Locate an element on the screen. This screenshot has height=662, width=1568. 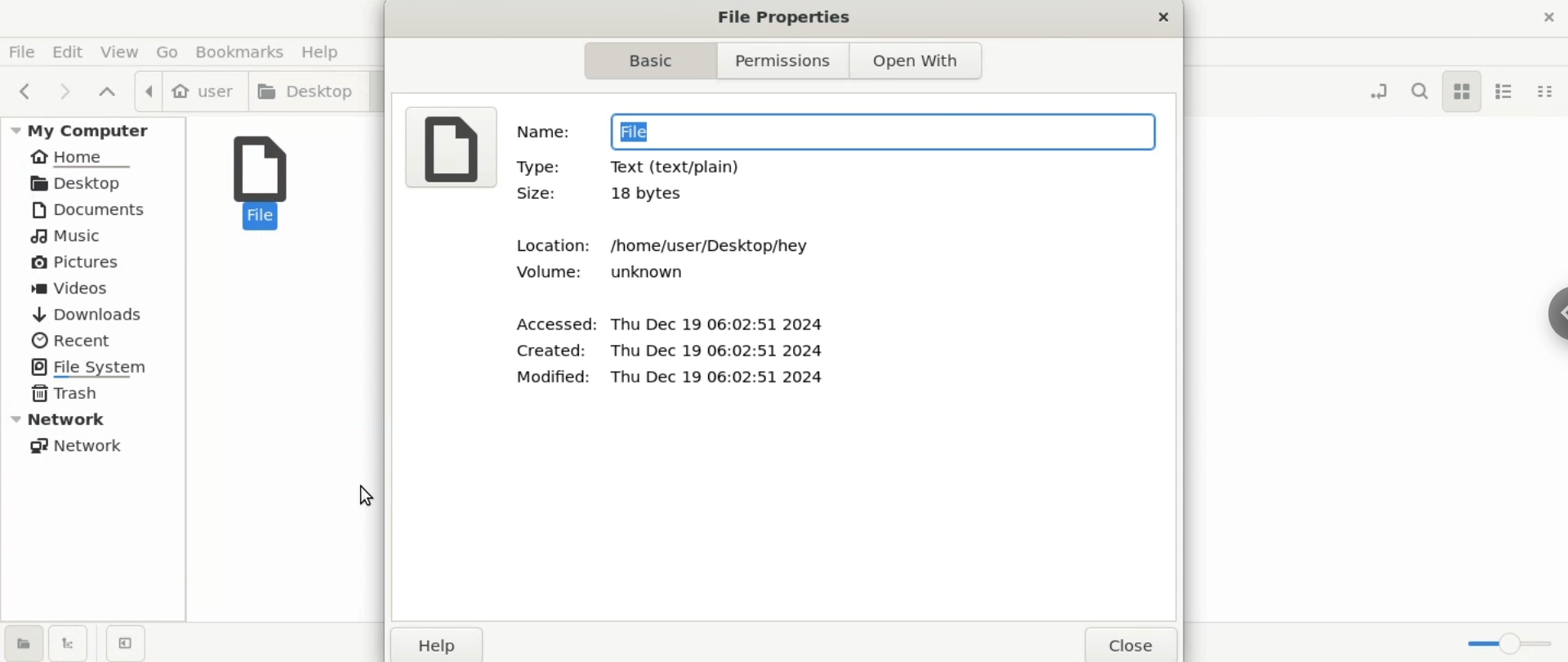
size:   18 bytes is located at coordinates (606, 197).